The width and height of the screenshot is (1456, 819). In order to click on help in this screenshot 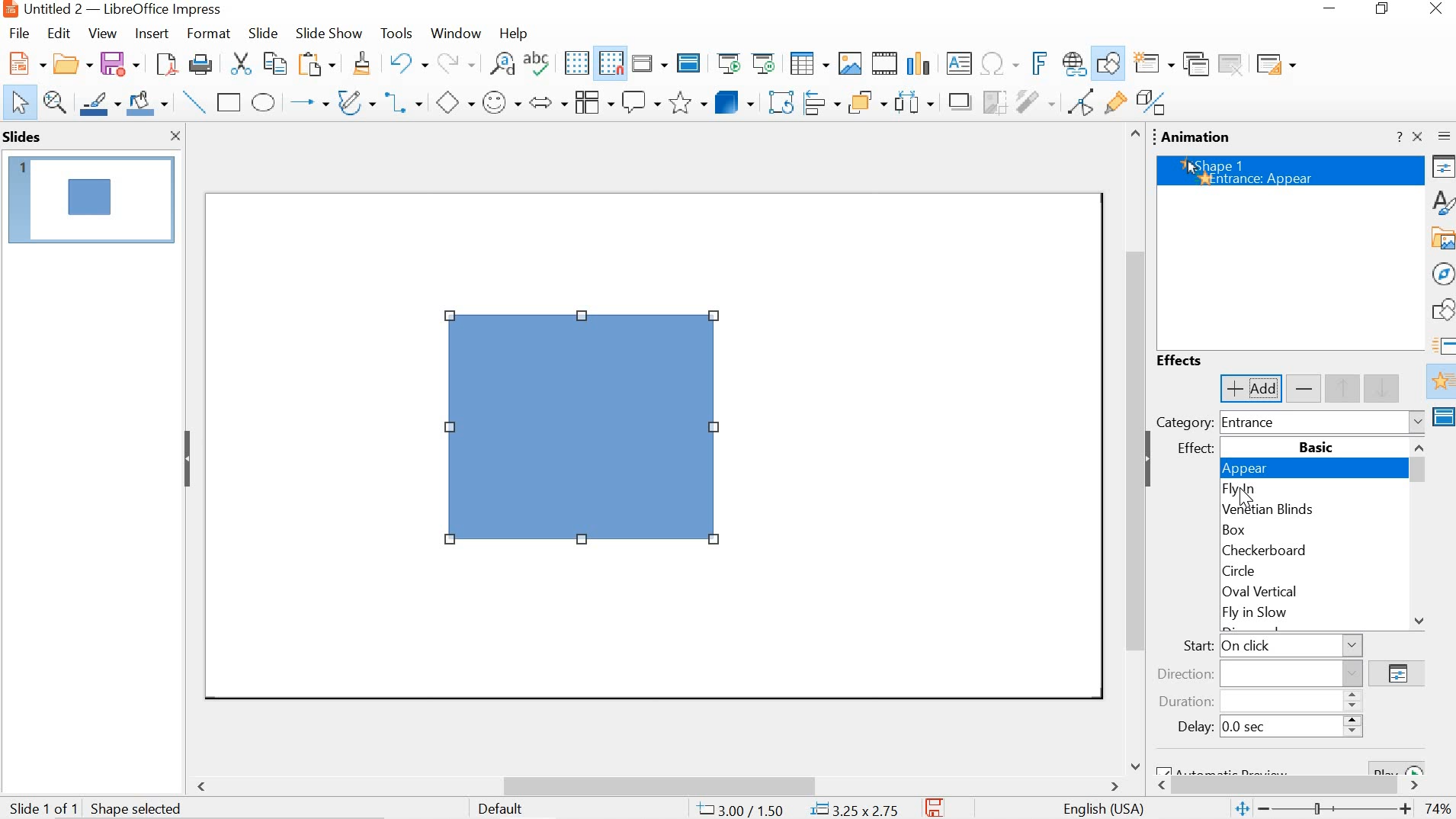, I will do `click(1399, 138)`.